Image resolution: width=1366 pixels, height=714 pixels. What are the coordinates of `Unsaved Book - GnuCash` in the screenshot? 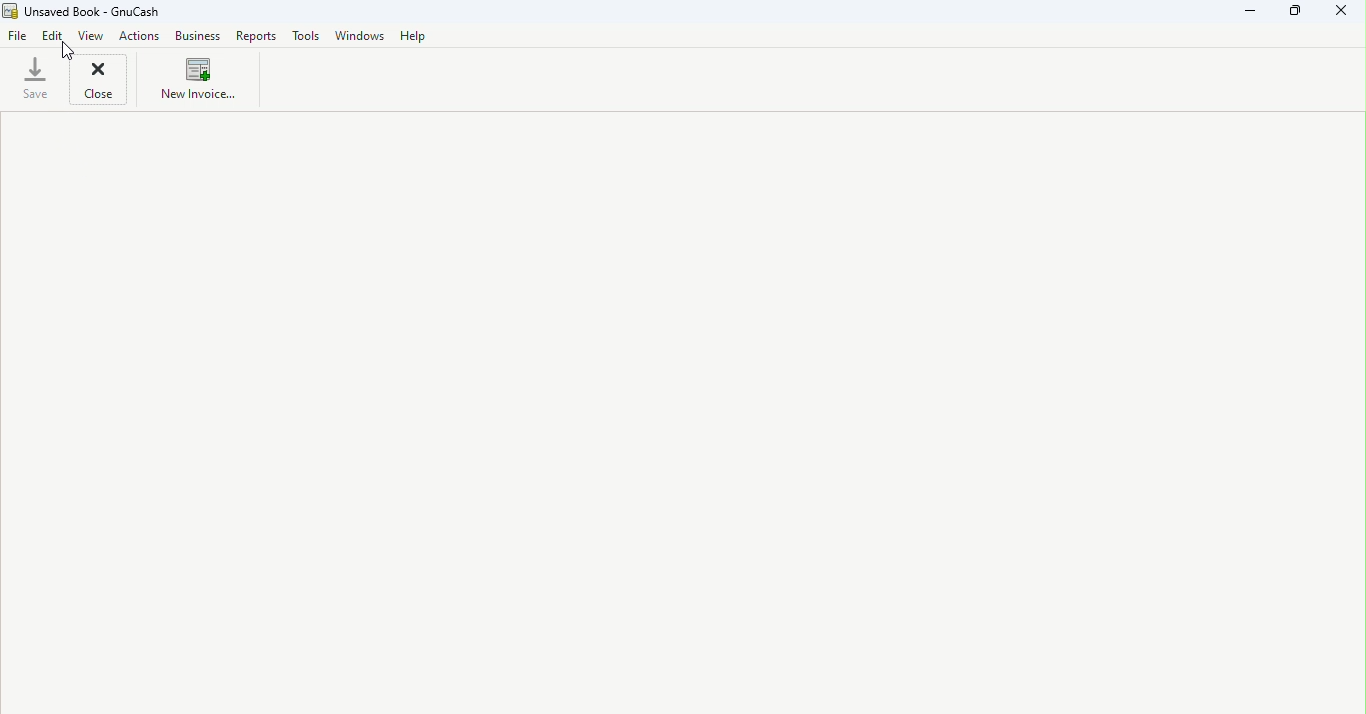 It's located at (106, 11).